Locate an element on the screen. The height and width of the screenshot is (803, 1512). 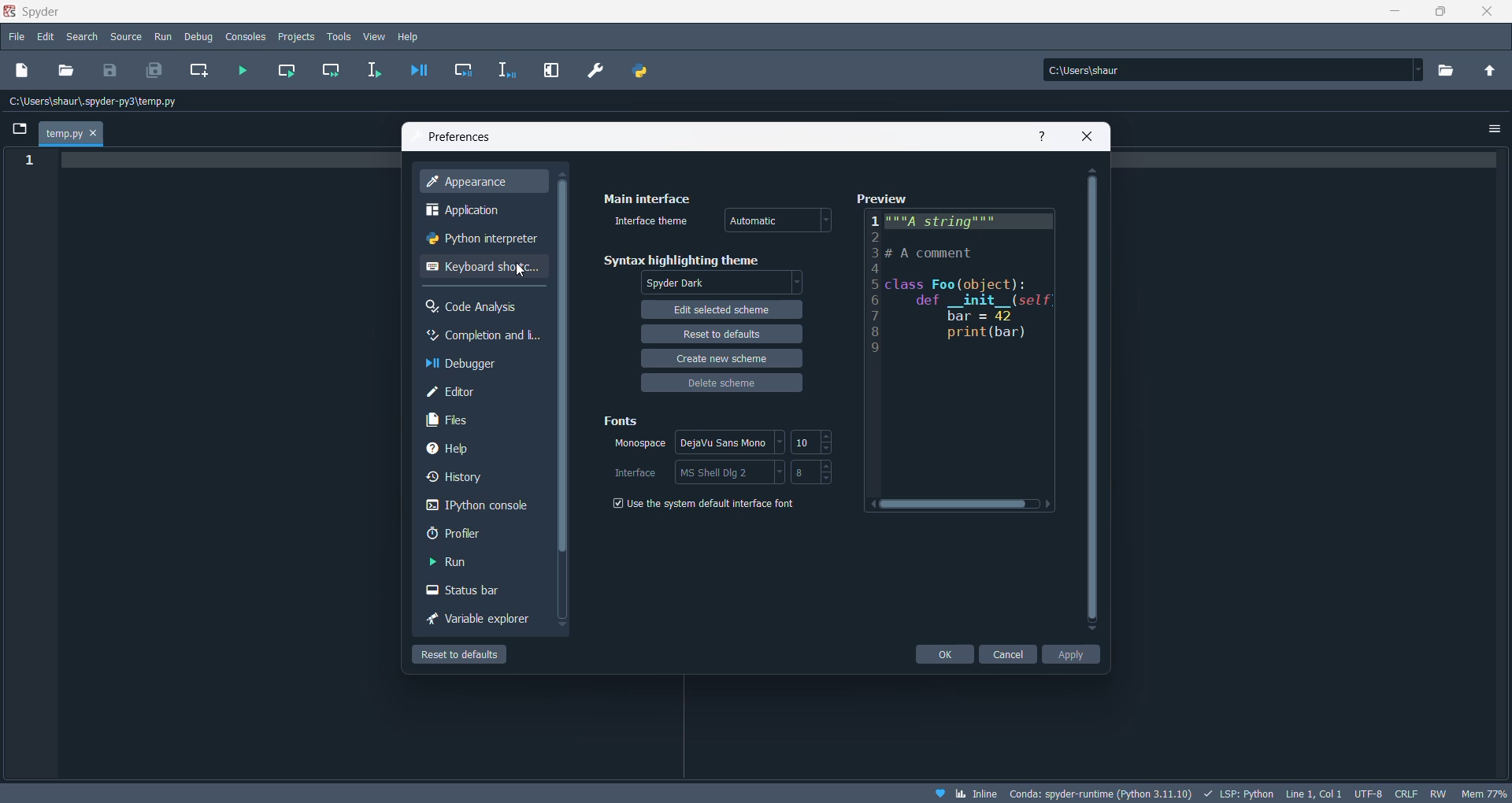
line number is located at coordinates (28, 161).